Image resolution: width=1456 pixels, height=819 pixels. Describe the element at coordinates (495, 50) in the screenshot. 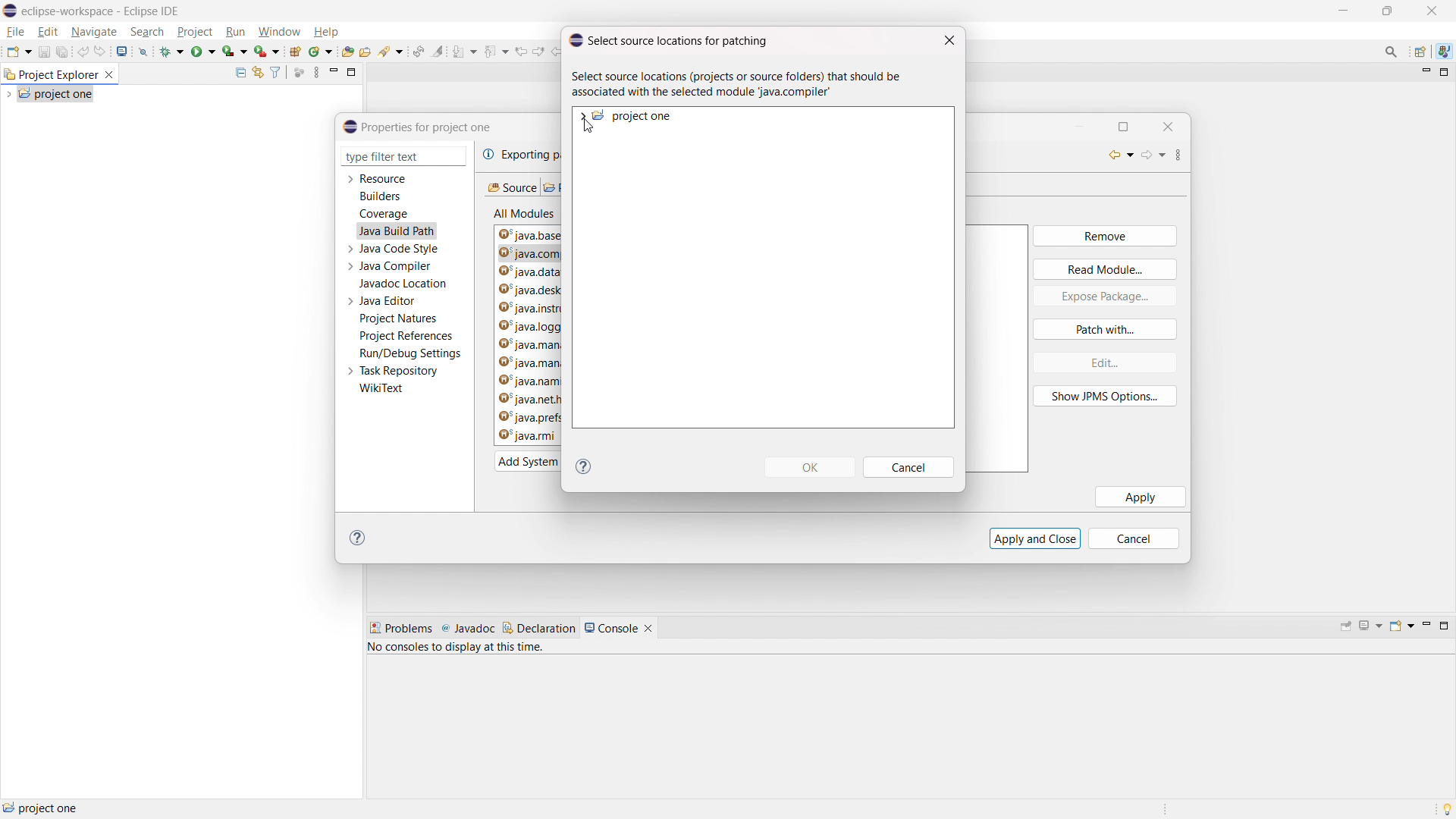

I see `previous annotation` at that location.